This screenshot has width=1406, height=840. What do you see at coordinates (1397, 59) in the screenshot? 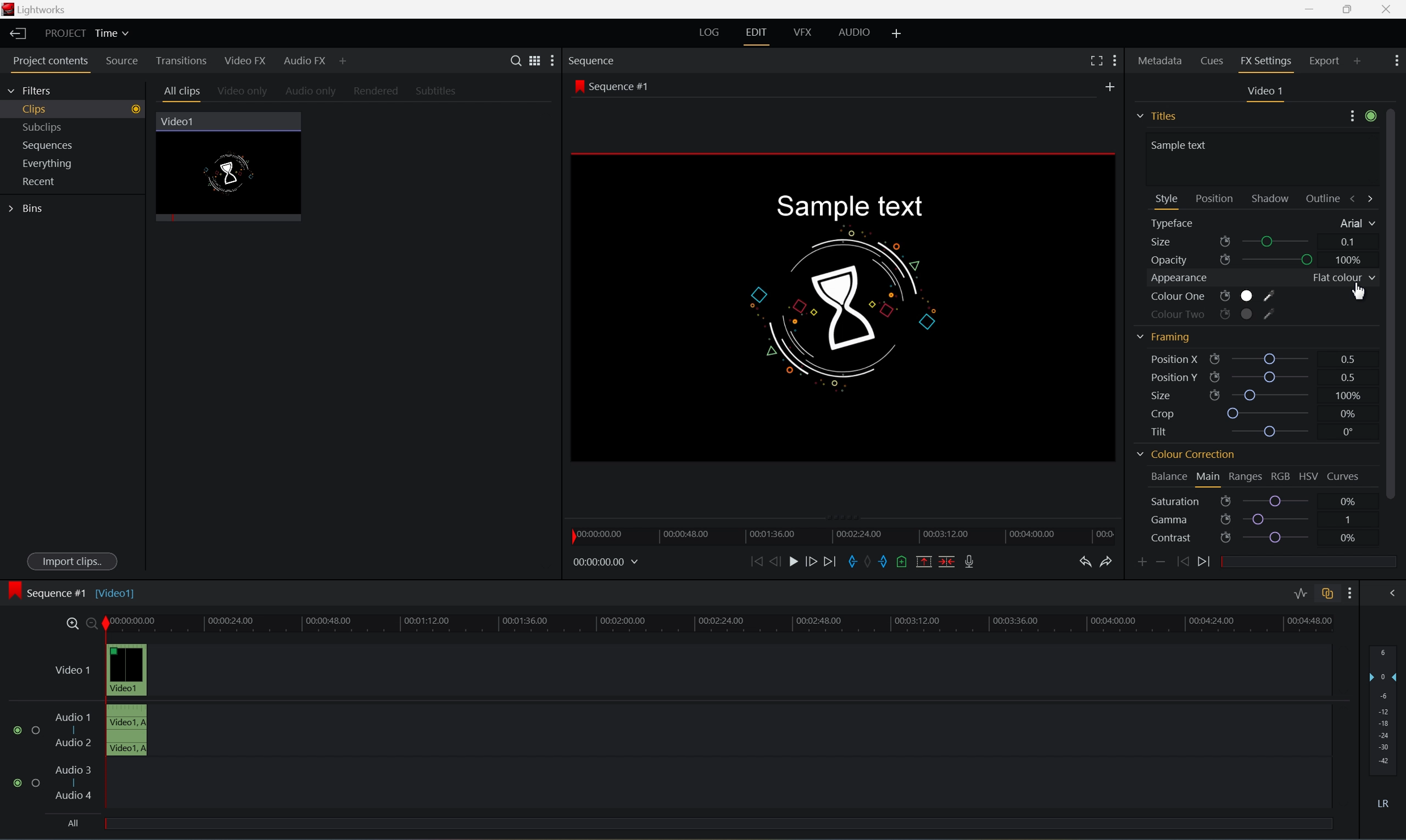
I see `more` at bounding box center [1397, 59].